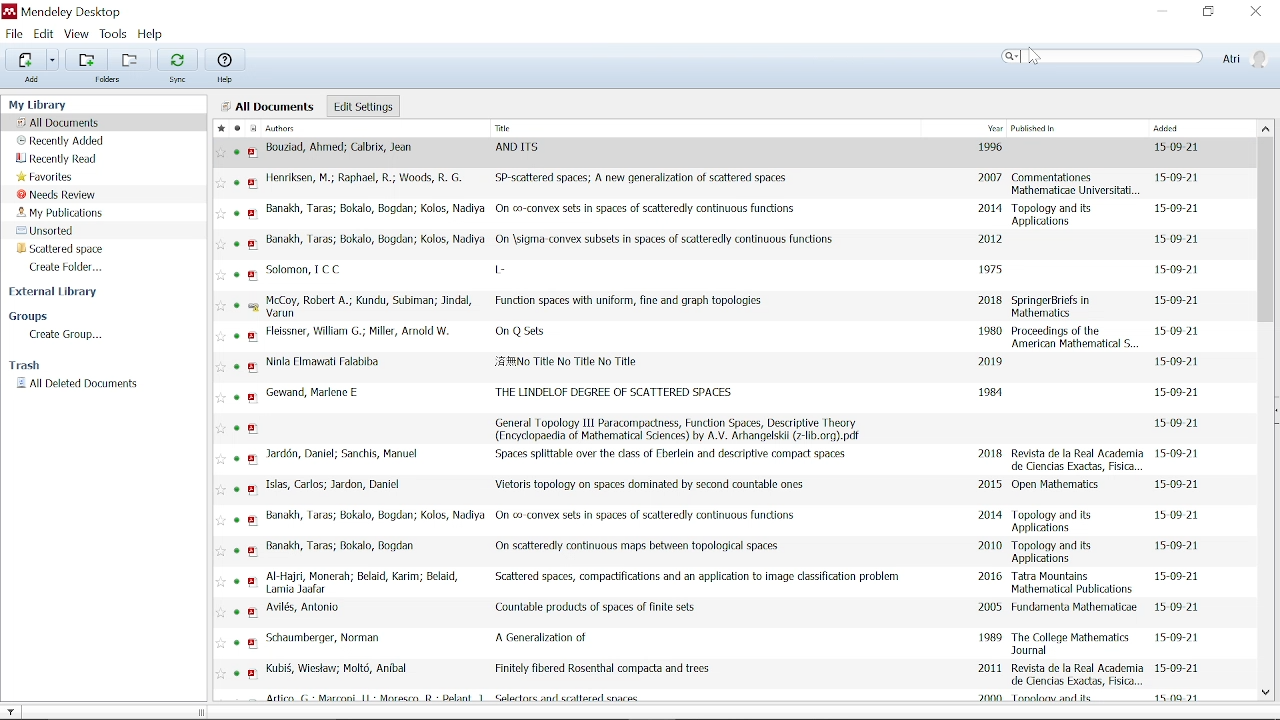 The height and width of the screenshot is (720, 1280). Describe the element at coordinates (728, 428) in the screenshot. I see `General Topology 111 Paracompactness, Function Spaces, Descriplive Theory (Encydopaedia of Mathematical Sciences) by A.V. Arhangelskl (7-lib.org).pdf 15-09-21` at that location.